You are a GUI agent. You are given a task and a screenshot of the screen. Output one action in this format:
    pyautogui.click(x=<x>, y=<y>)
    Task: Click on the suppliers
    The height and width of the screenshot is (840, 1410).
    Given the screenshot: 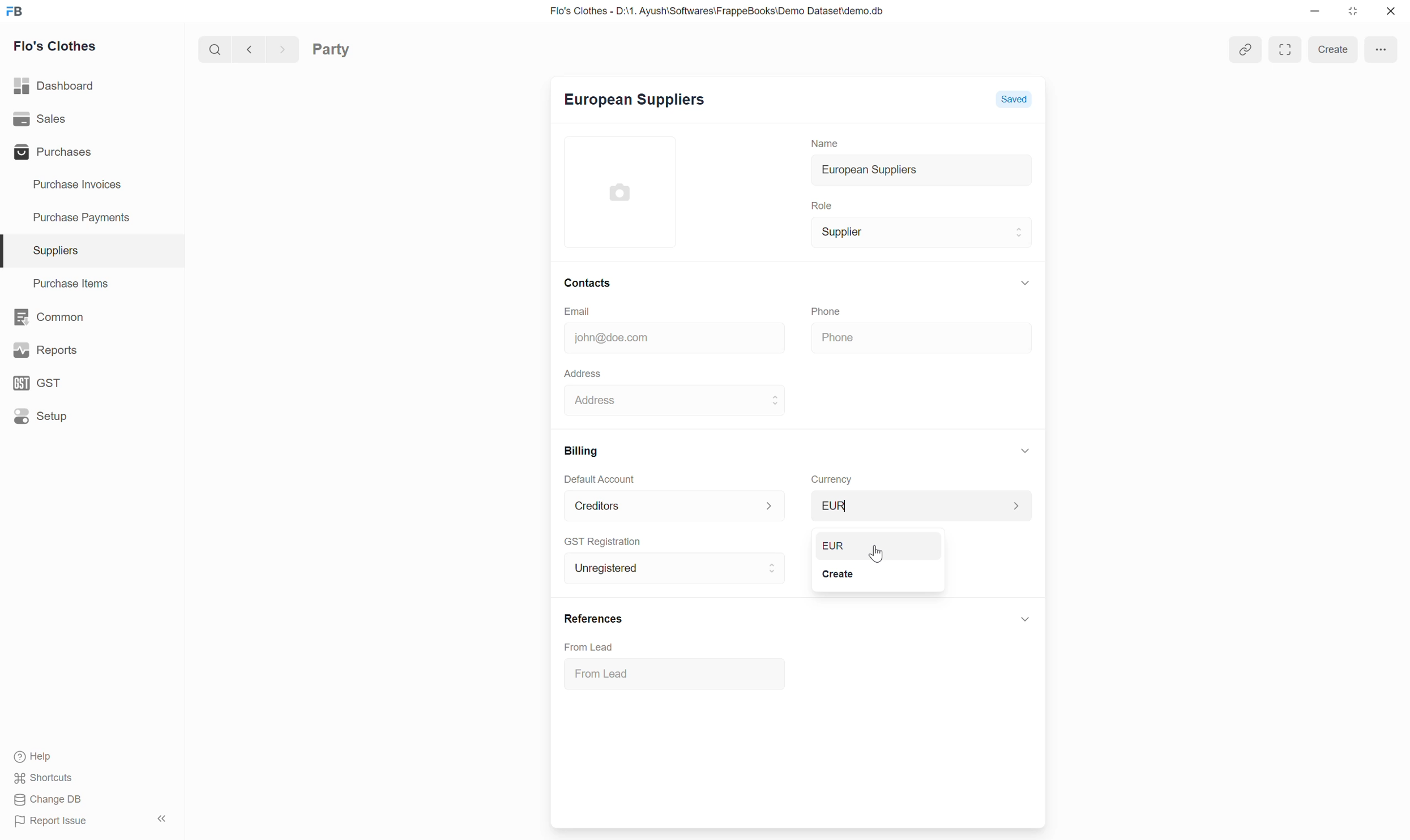 What is the action you would take?
    pyautogui.click(x=55, y=251)
    